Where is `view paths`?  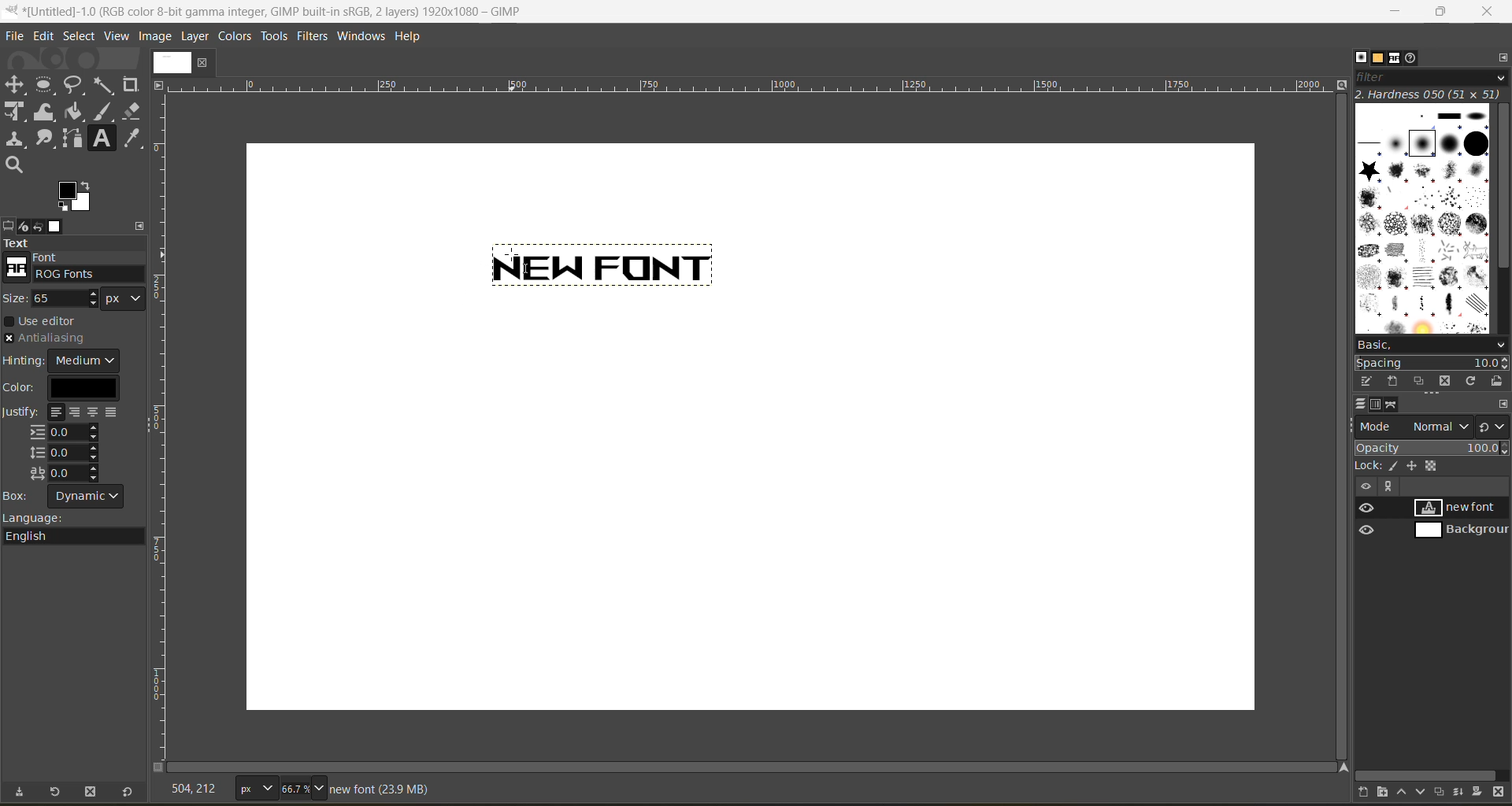 view paths is located at coordinates (1388, 486).